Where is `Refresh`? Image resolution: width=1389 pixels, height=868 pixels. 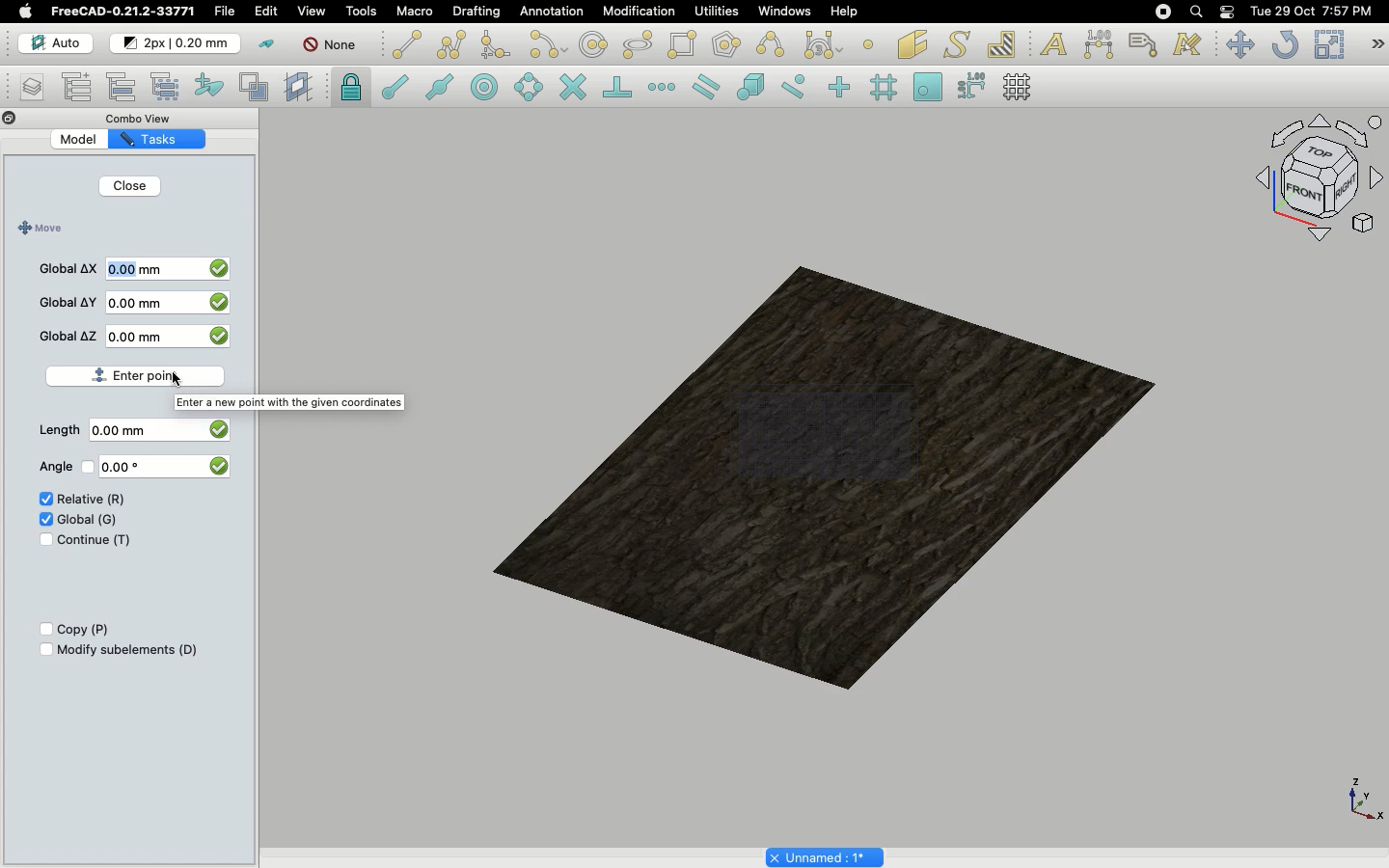
Refresh is located at coordinates (1285, 46).